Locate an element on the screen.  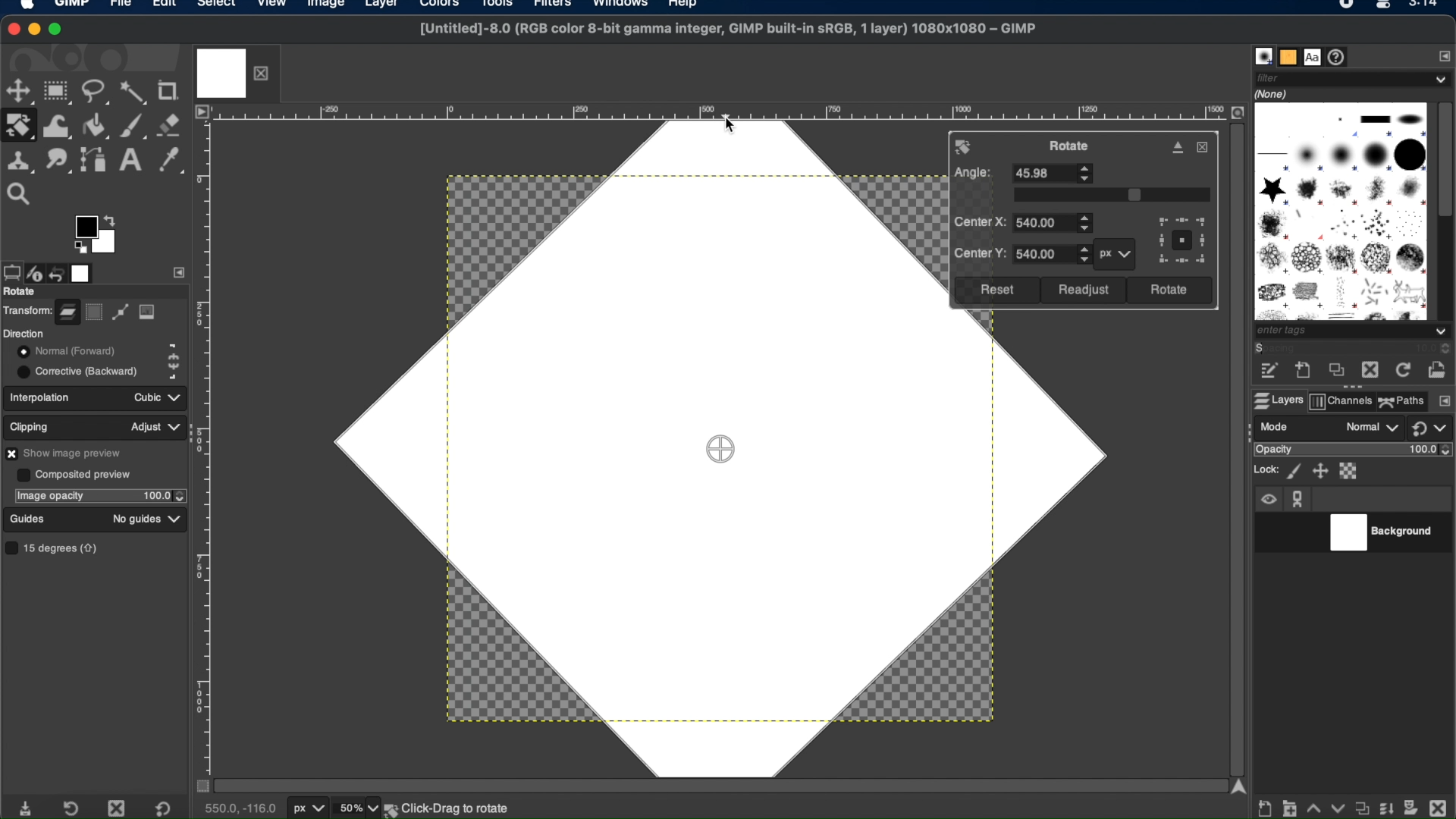
scroll box is located at coordinates (1446, 162).